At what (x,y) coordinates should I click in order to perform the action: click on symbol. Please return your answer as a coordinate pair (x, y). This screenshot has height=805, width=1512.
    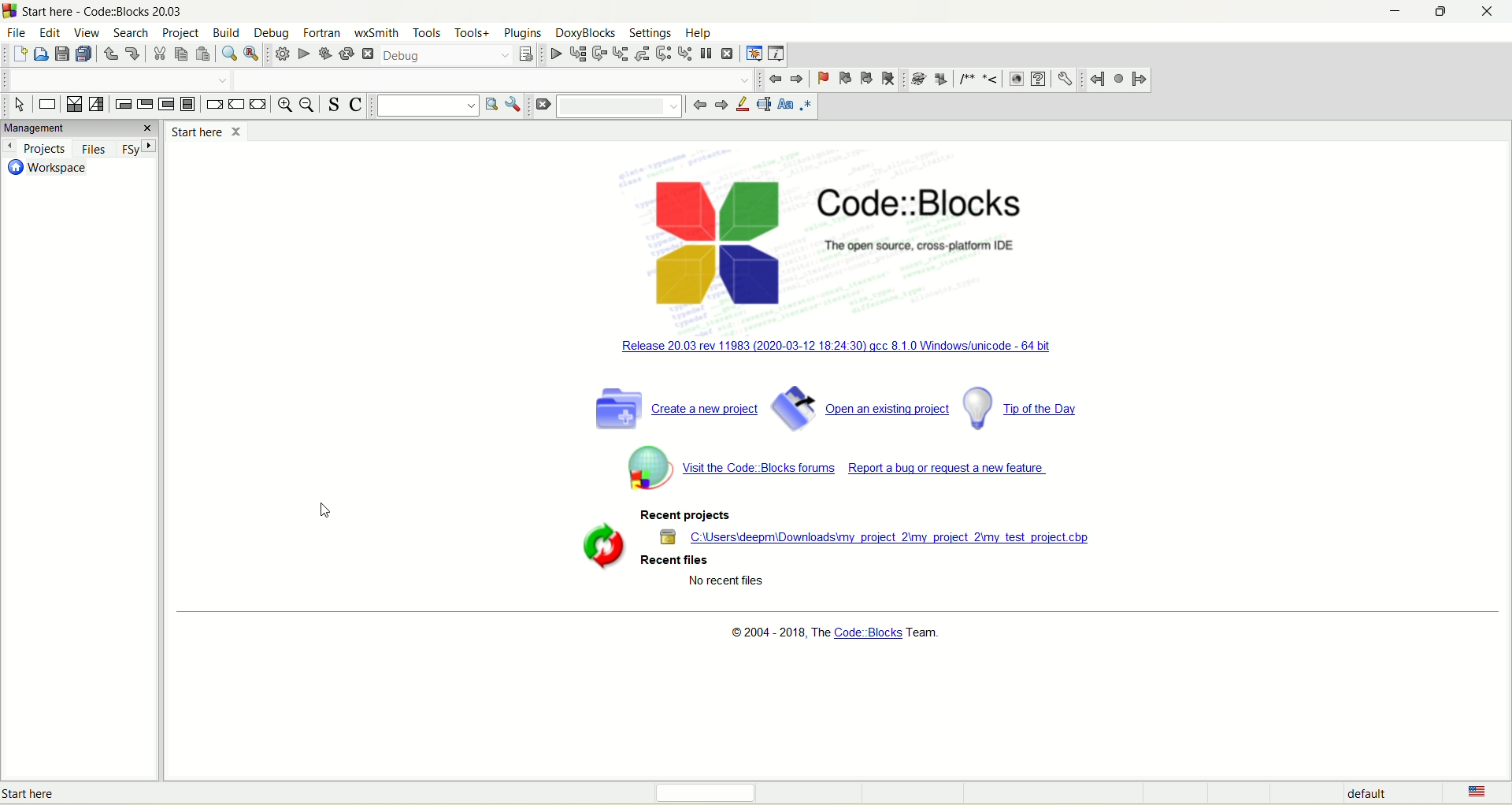
    Looking at the image, I should click on (597, 547).